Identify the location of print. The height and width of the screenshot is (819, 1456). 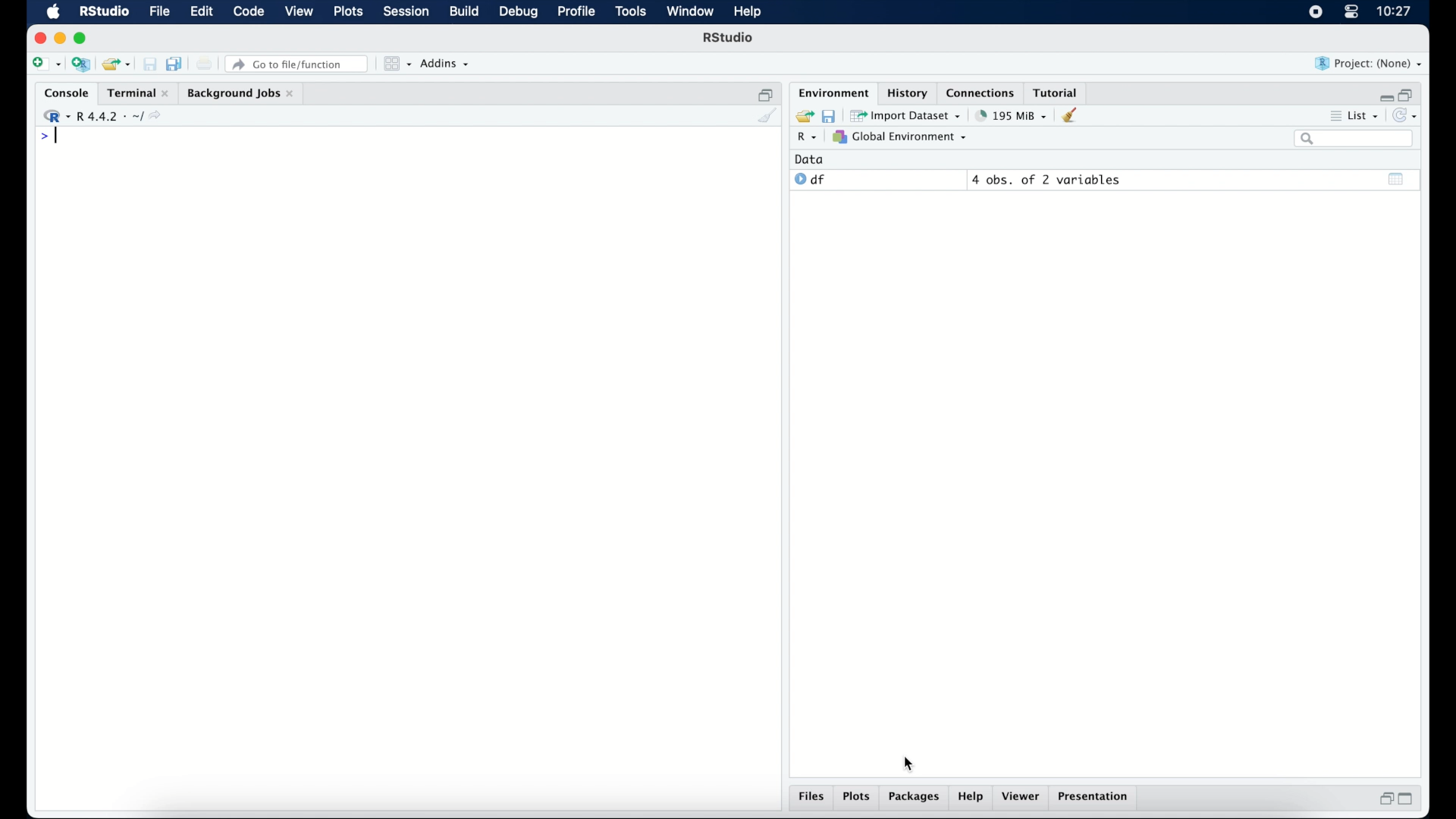
(205, 64).